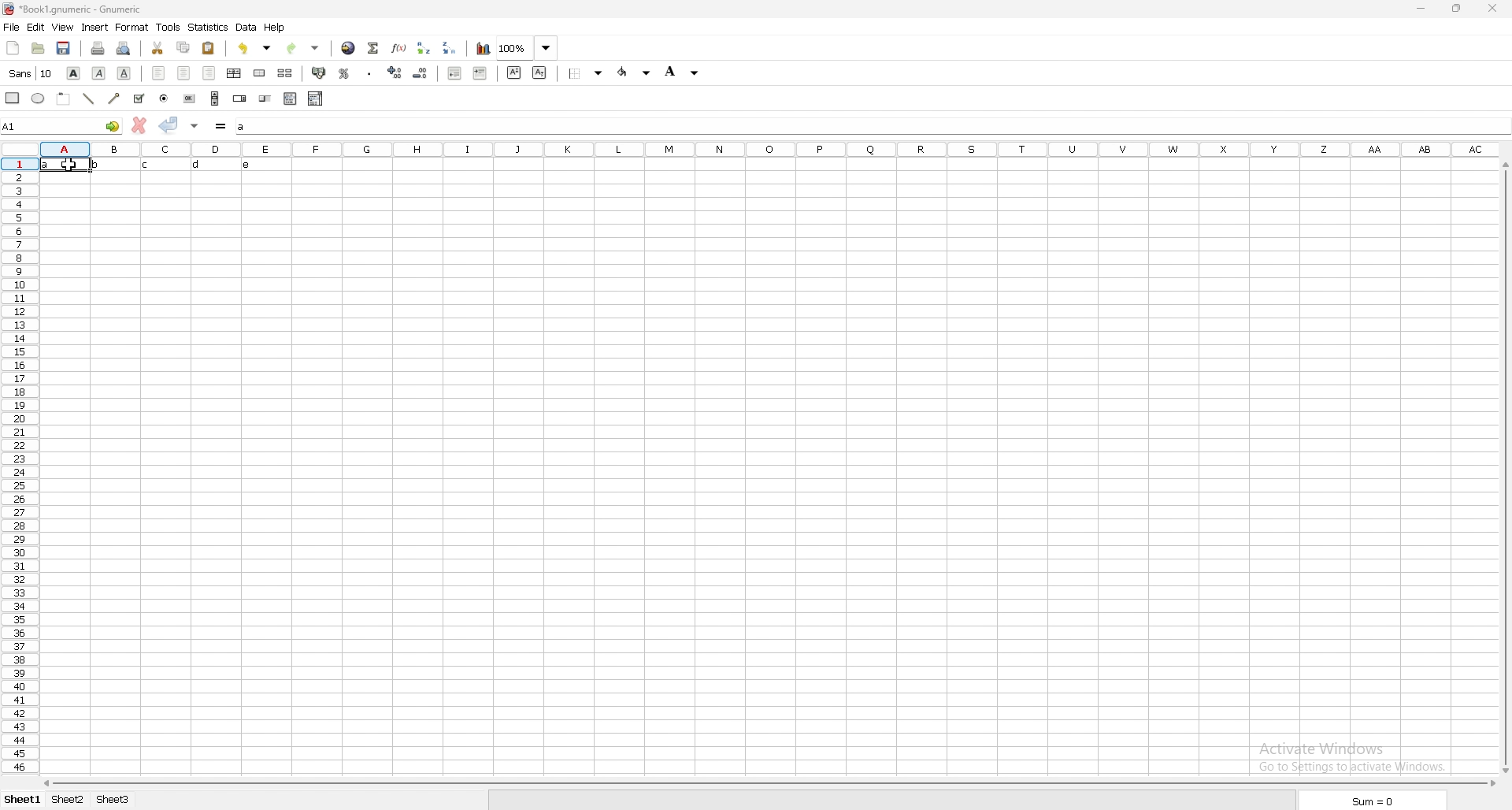  Describe the element at coordinates (480, 73) in the screenshot. I see `increase indent` at that location.